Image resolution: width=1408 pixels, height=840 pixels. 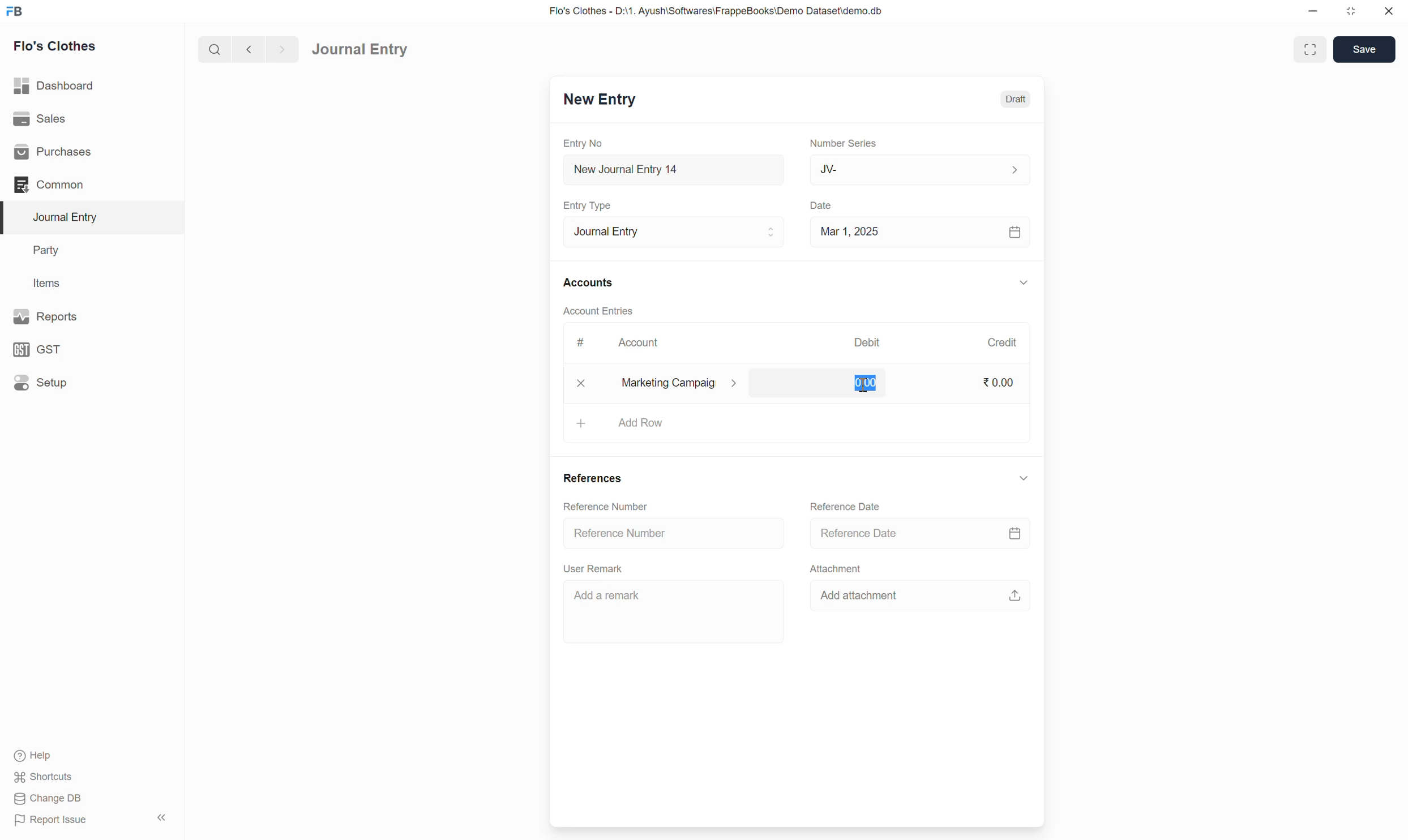 What do you see at coordinates (39, 117) in the screenshot?
I see `Sales` at bounding box center [39, 117].